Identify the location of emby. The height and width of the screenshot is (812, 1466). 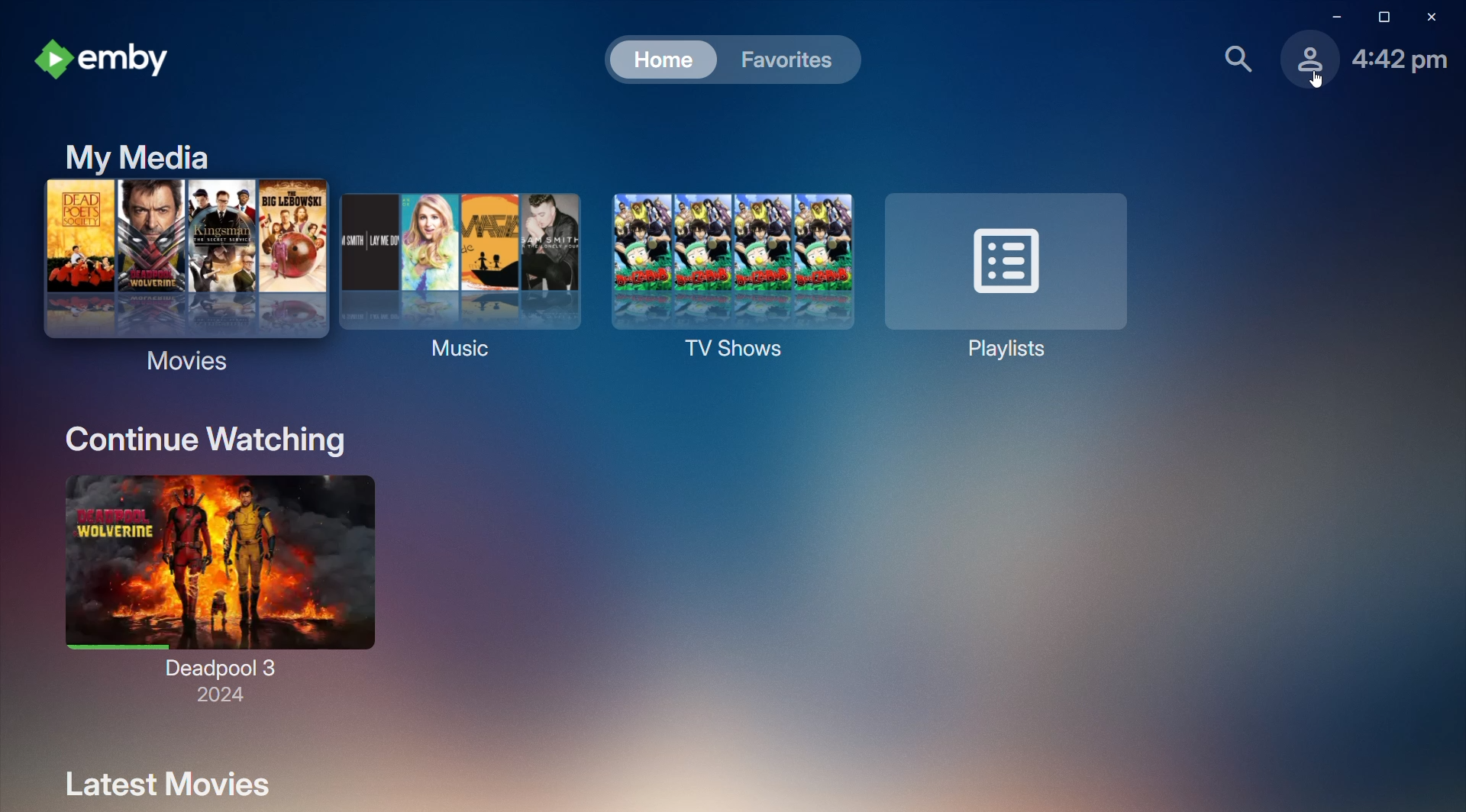
(108, 59).